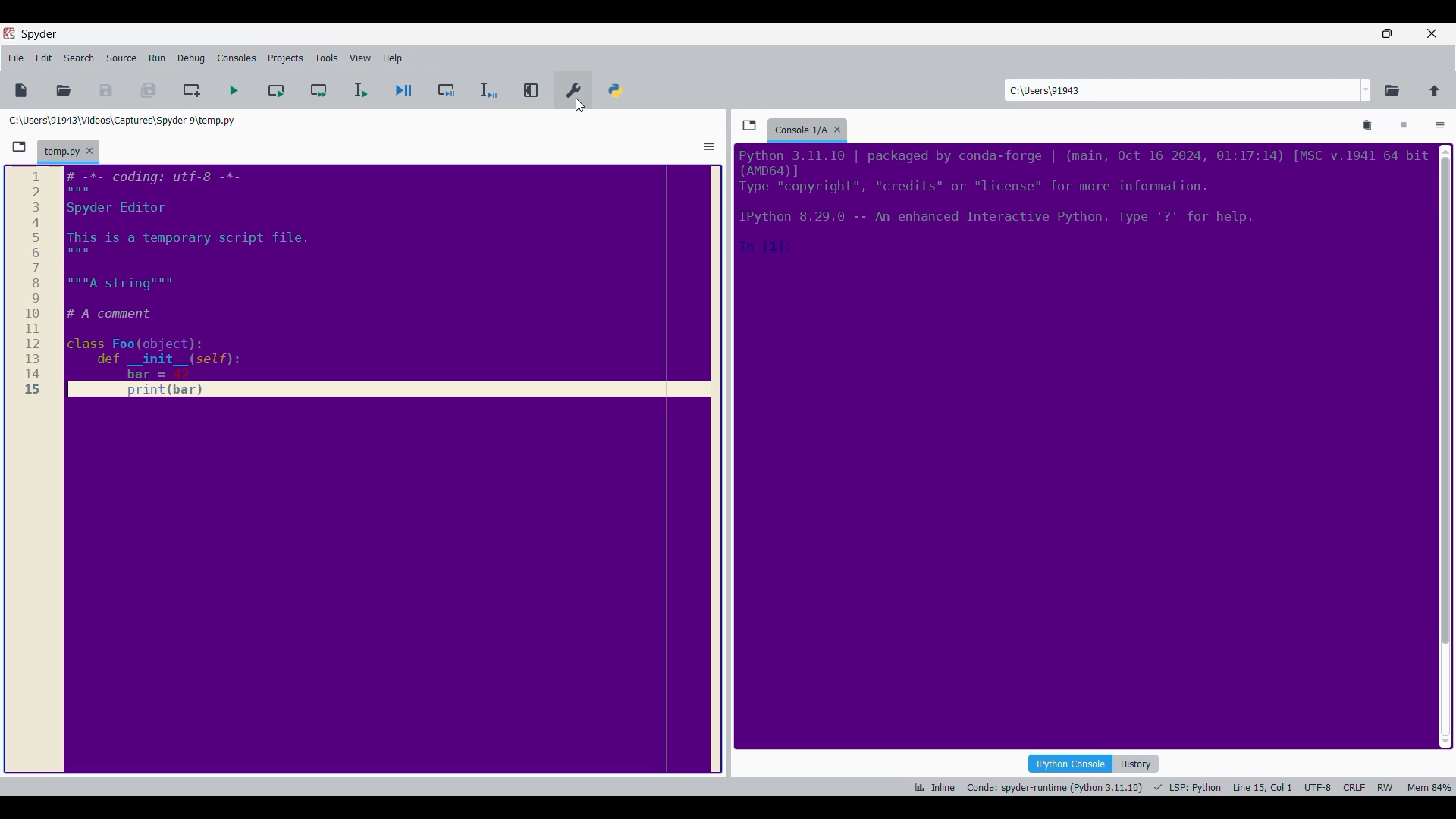  What do you see at coordinates (1392, 90) in the screenshot?
I see `Browse a working directory` at bounding box center [1392, 90].